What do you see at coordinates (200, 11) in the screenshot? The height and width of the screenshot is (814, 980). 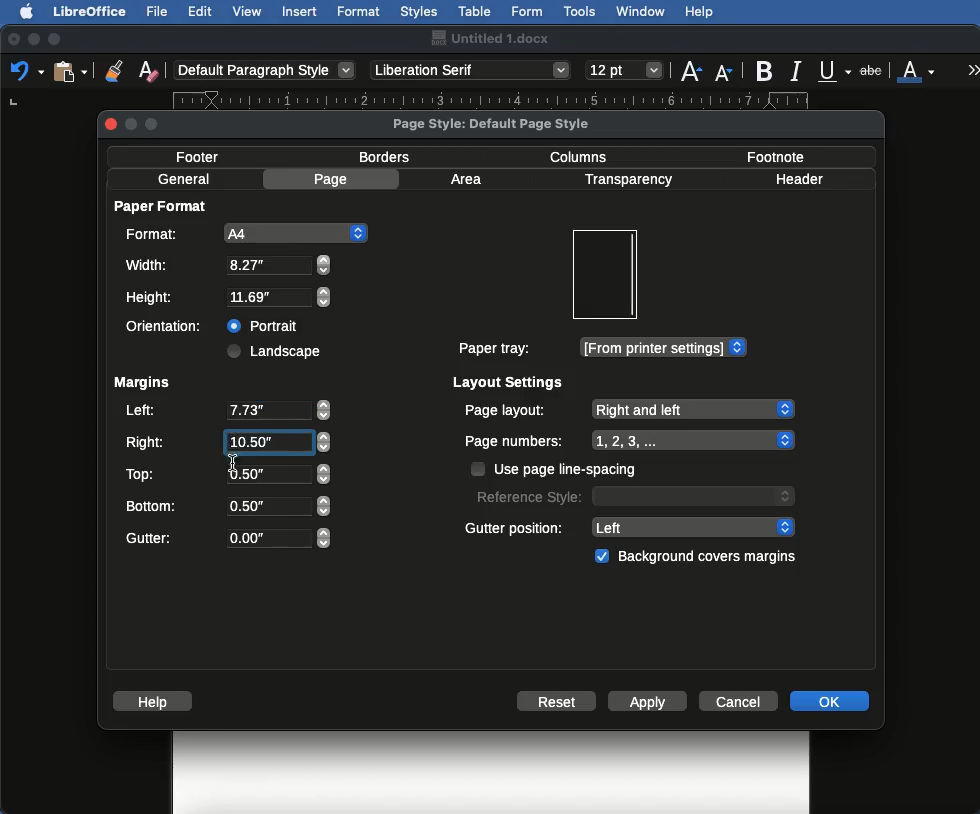 I see `Edit` at bounding box center [200, 11].